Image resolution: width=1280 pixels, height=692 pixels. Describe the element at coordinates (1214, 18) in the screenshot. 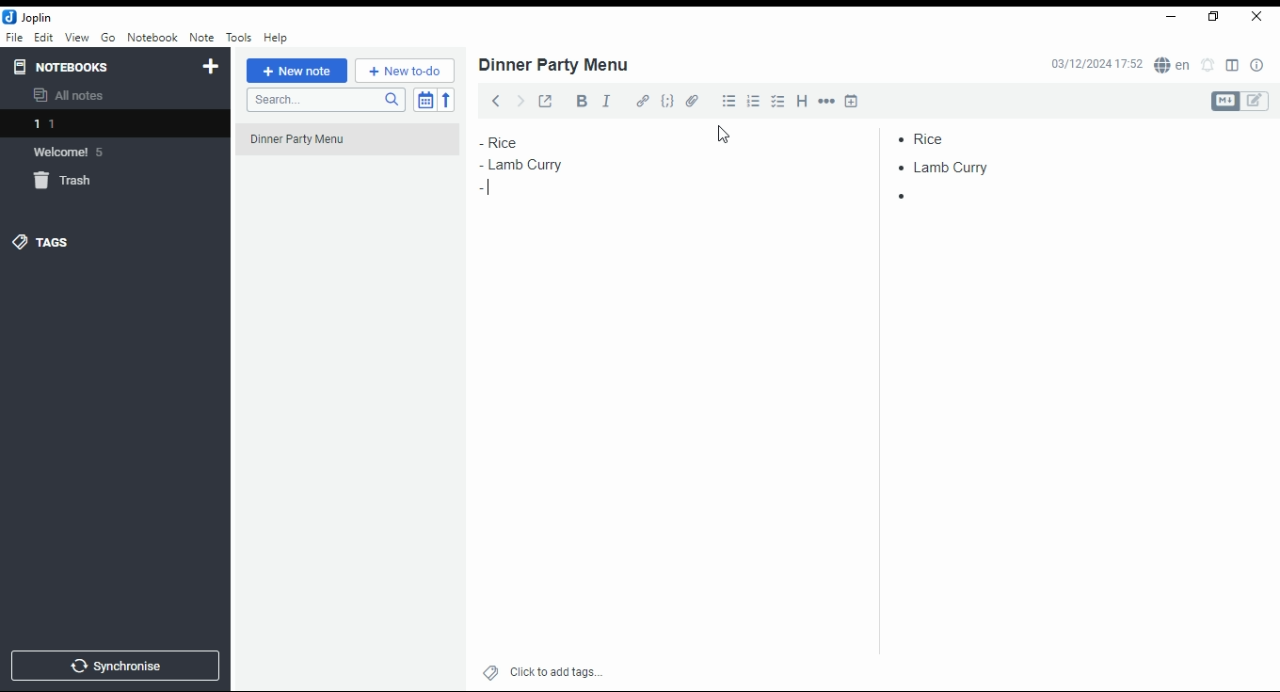

I see `maximize` at that location.